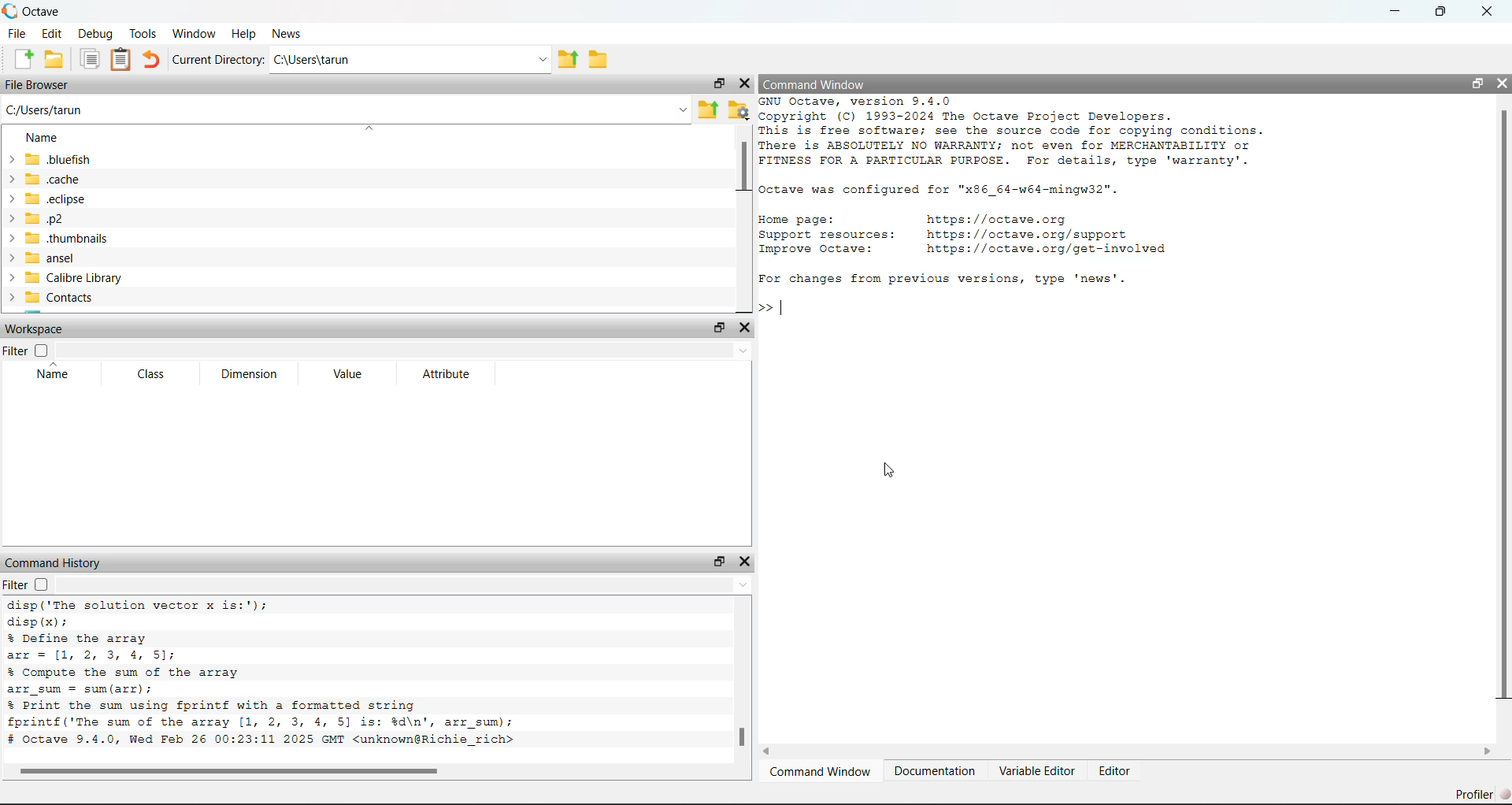  Describe the element at coordinates (413, 61) in the screenshot. I see `C:\Users\tarun ` at that location.